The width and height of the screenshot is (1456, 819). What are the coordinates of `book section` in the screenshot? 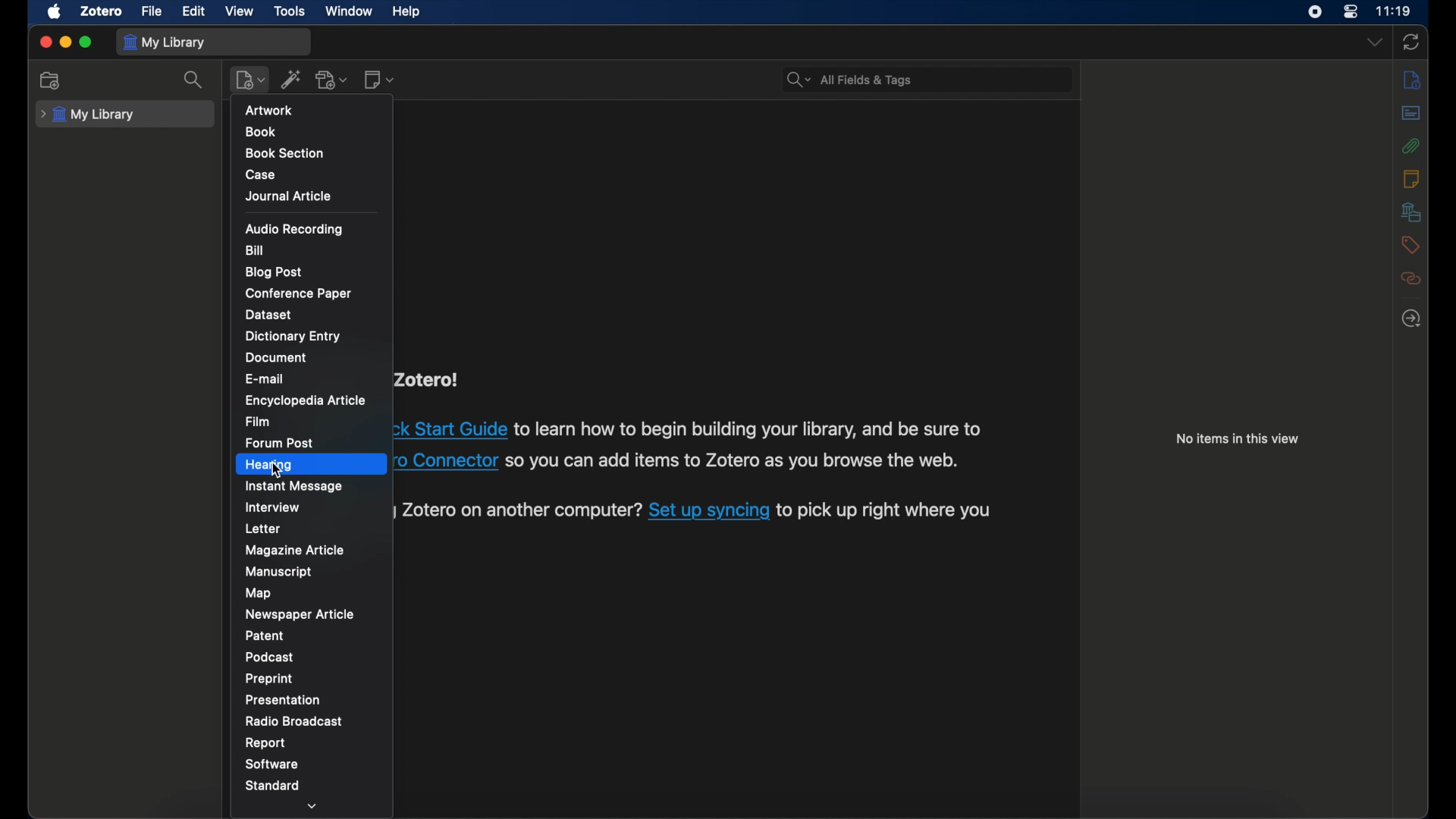 It's located at (287, 153).